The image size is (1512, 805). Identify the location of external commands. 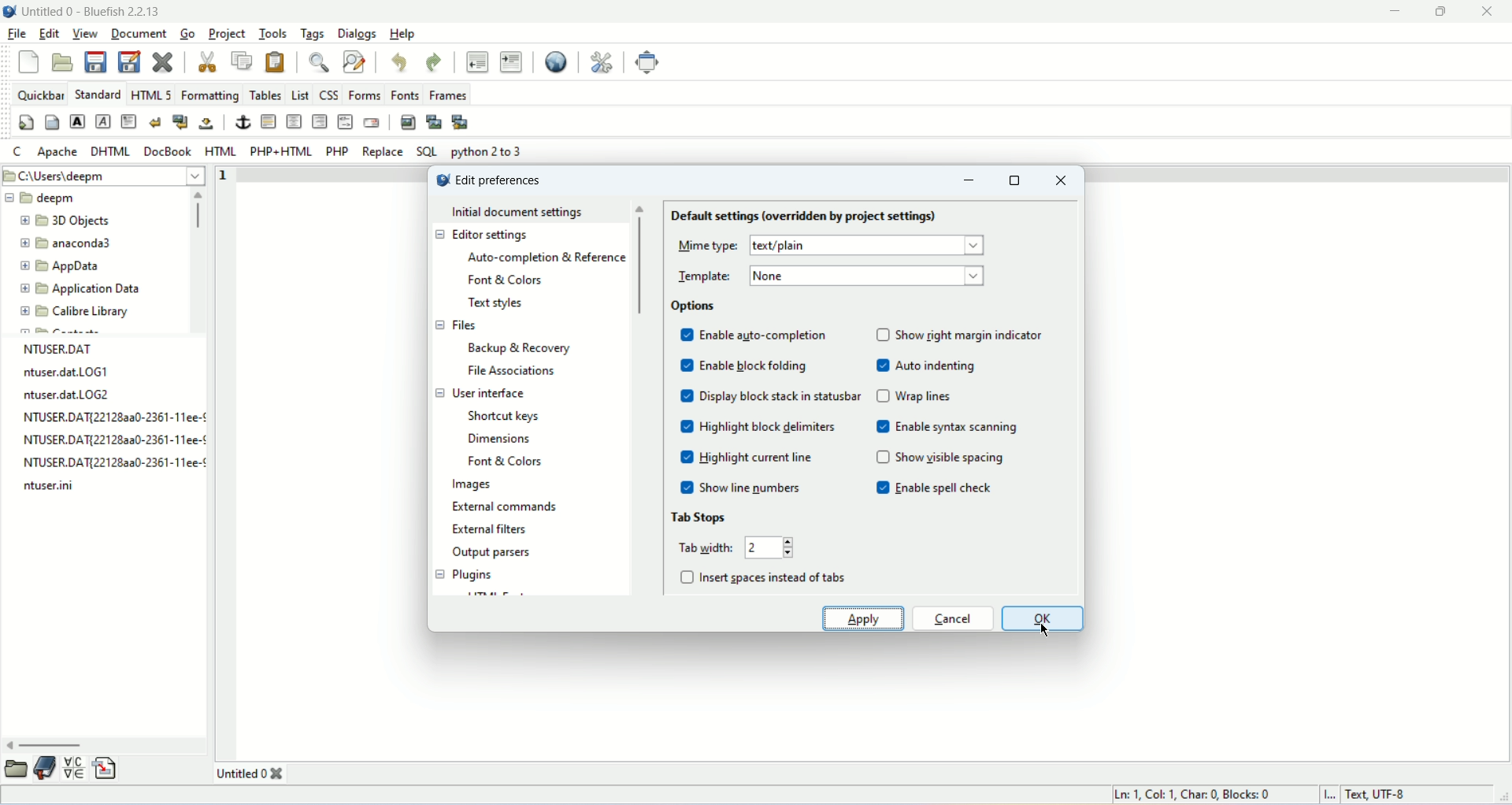
(502, 509).